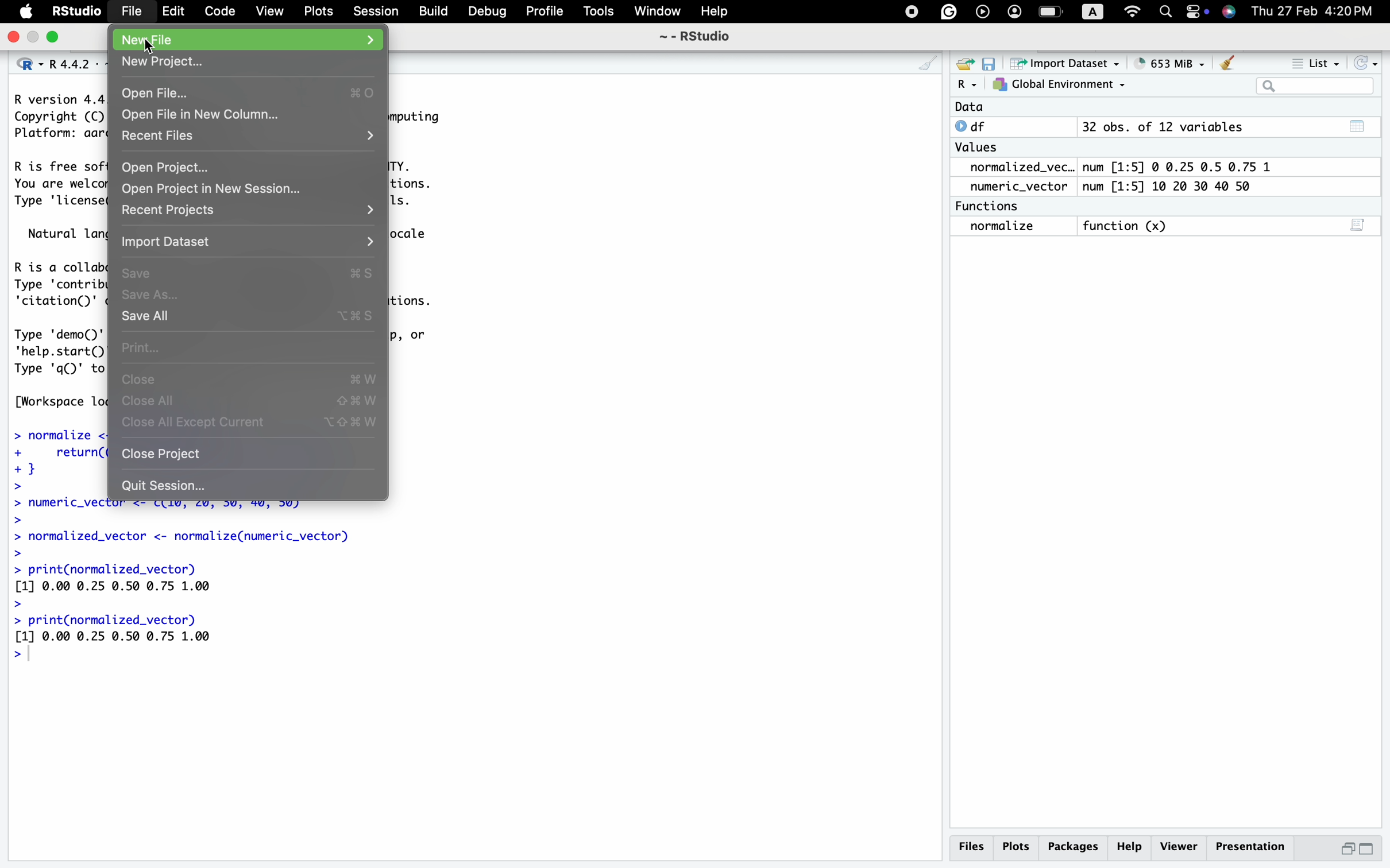  What do you see at coordinates (142, 382) in the screenshot?
I see `Close` at bounding box center [142, 382].